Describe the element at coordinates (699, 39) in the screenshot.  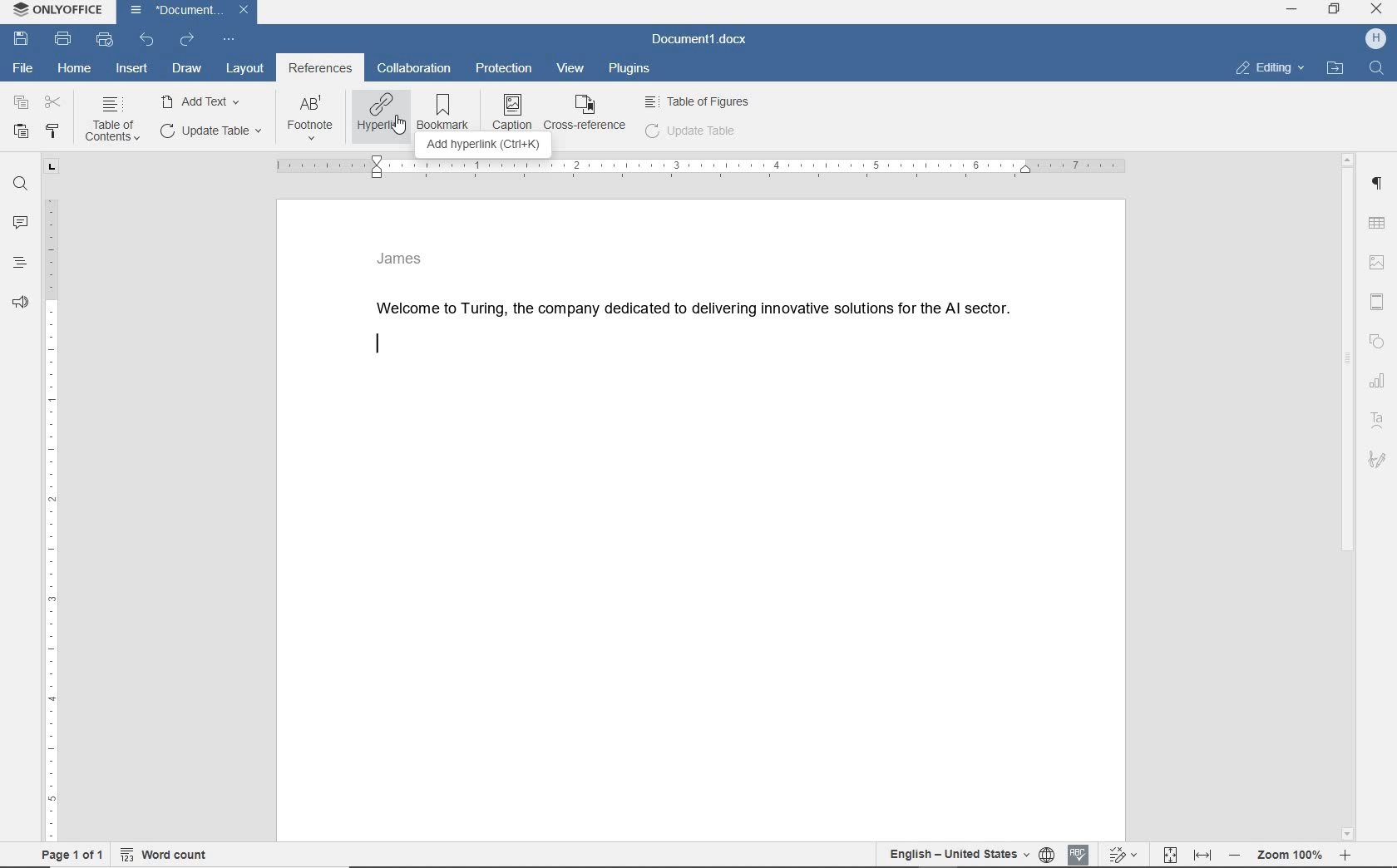
I see `document name` at that location.